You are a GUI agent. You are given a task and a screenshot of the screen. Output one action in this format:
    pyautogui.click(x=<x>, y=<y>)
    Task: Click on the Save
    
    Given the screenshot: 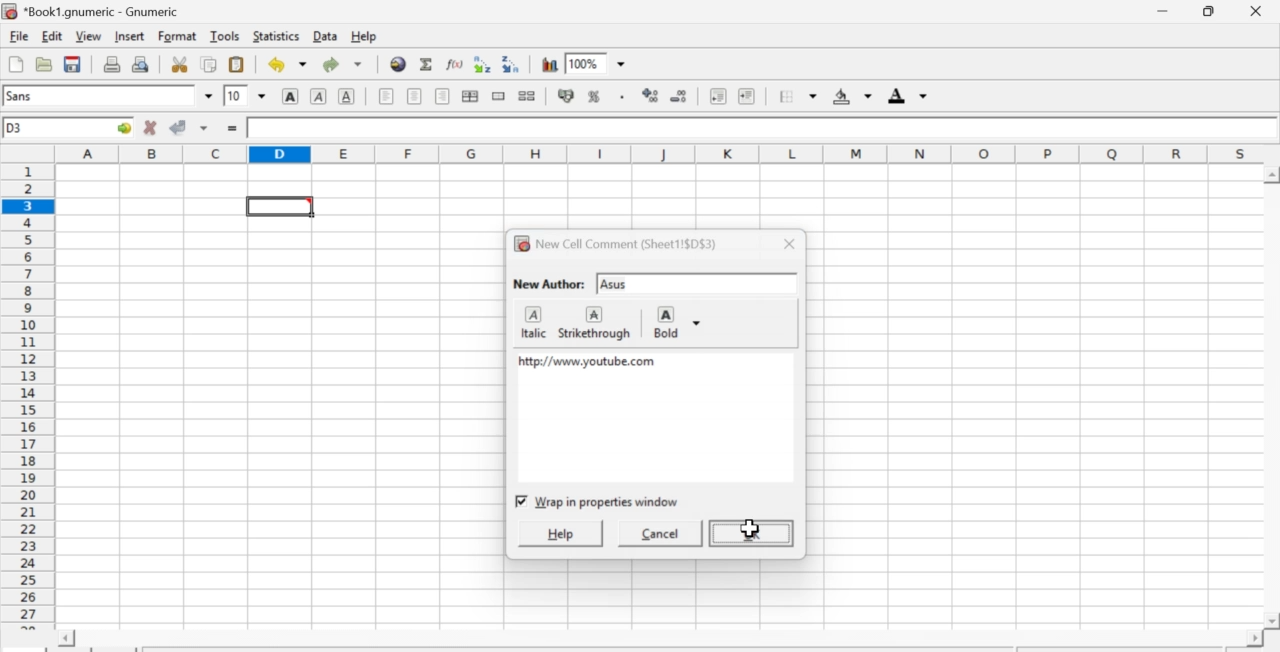 What is the action you would take?
    pyautogui.click(x=72, y=65)
    